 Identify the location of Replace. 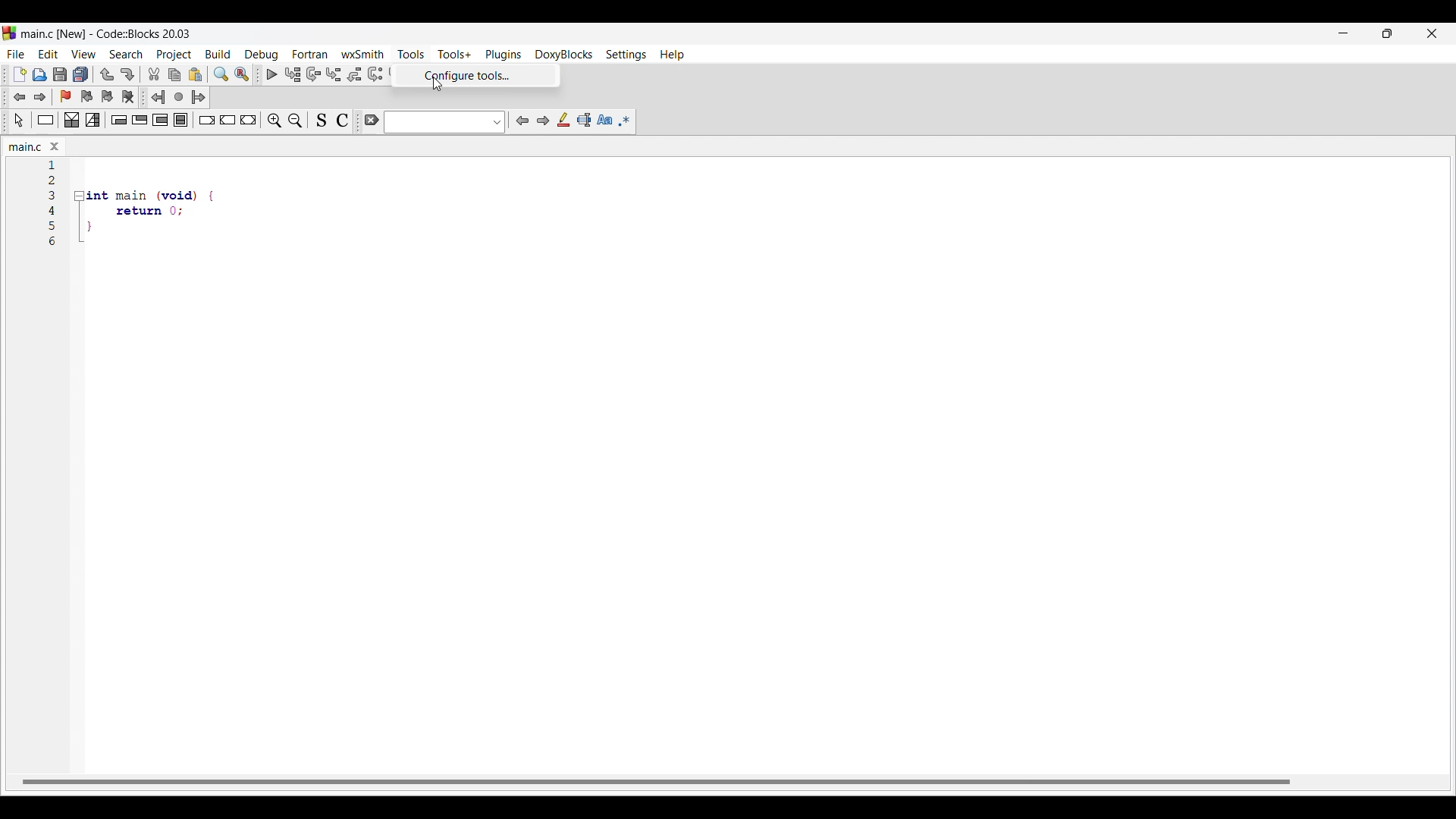
(242, 74).